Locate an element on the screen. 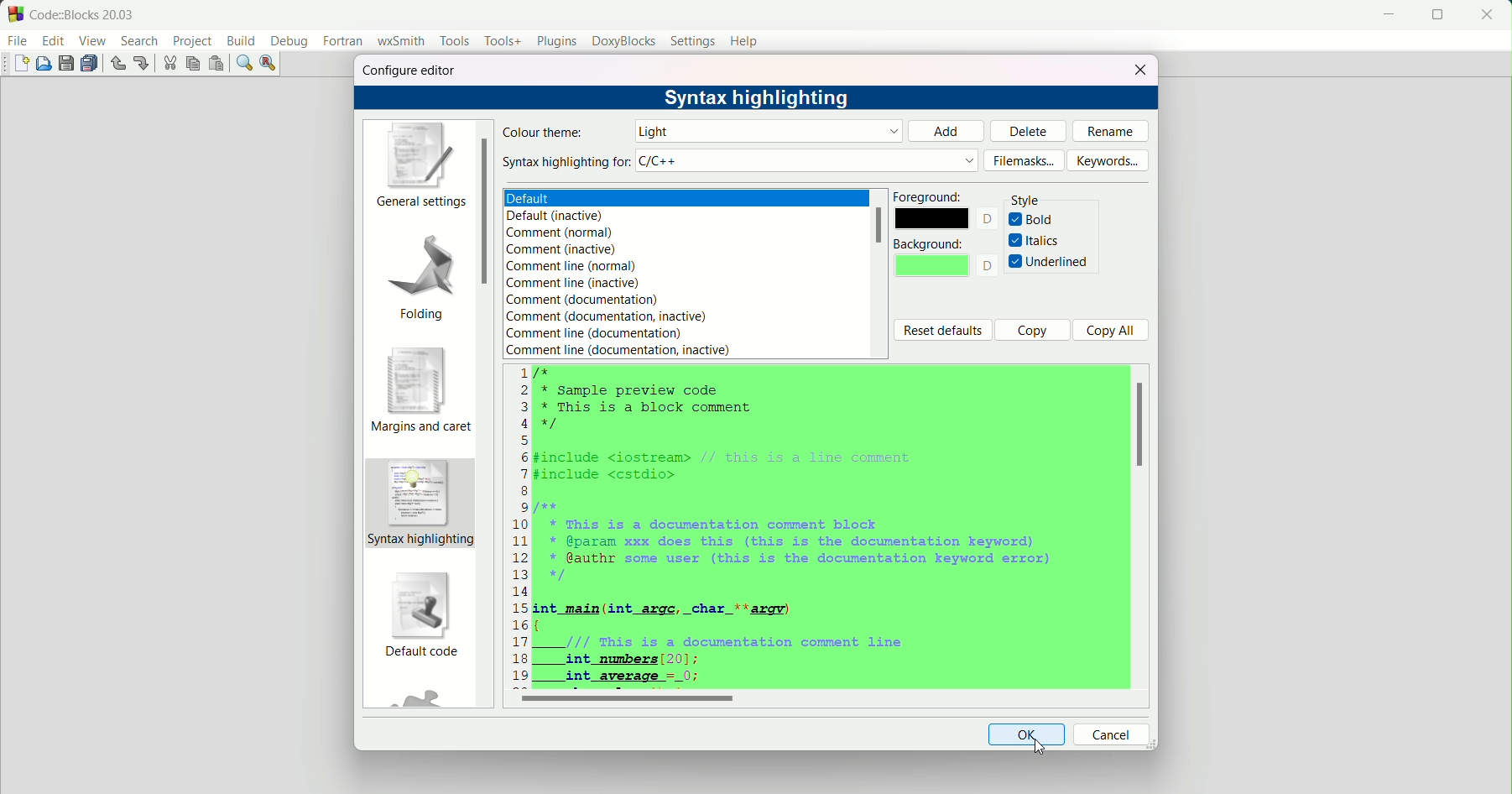 This screenshot has height=794, width=1512. reset defaults is located at coordinates (942, 331).